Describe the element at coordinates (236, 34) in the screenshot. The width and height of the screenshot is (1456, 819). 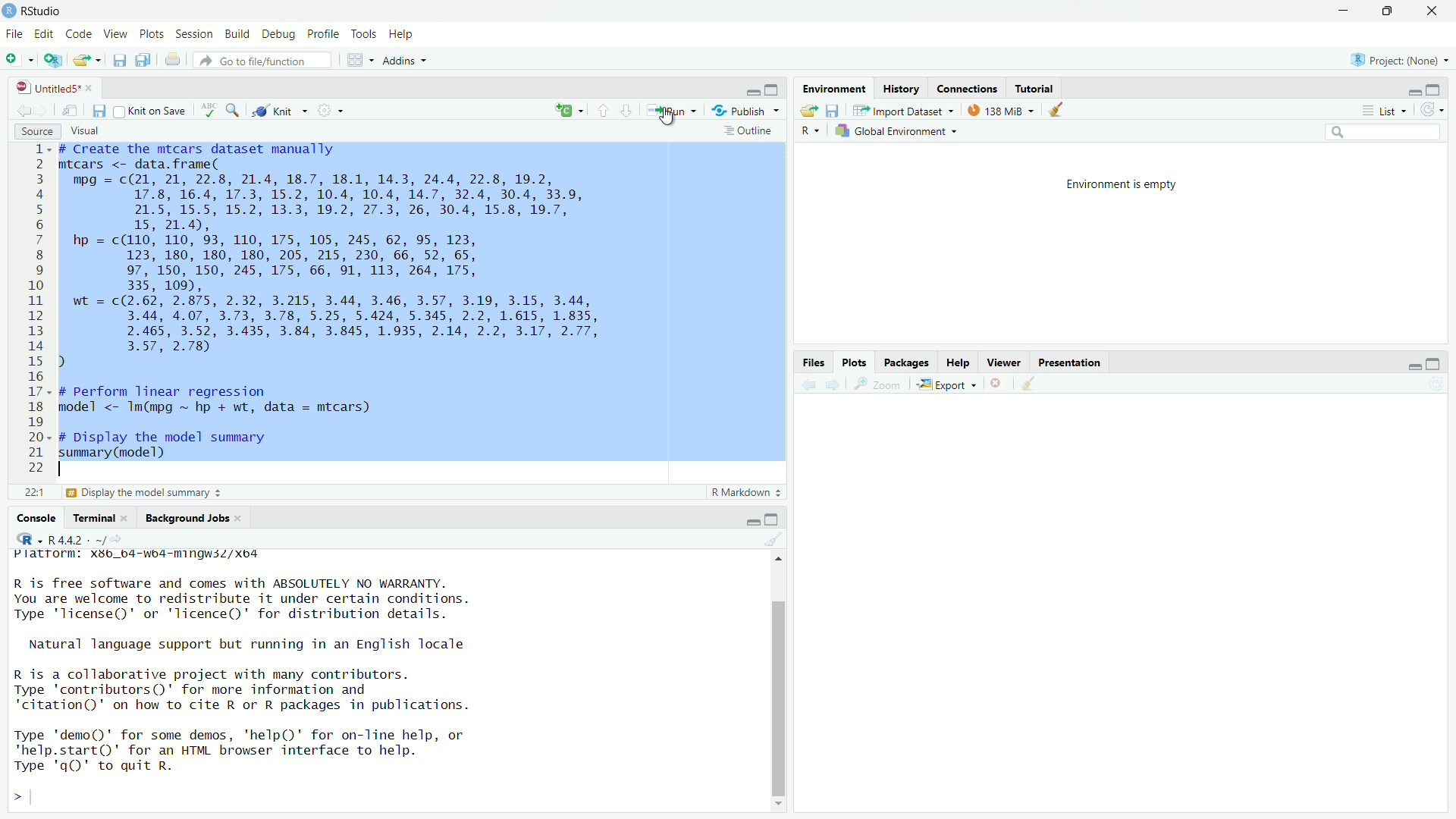
I see `build` at that location.